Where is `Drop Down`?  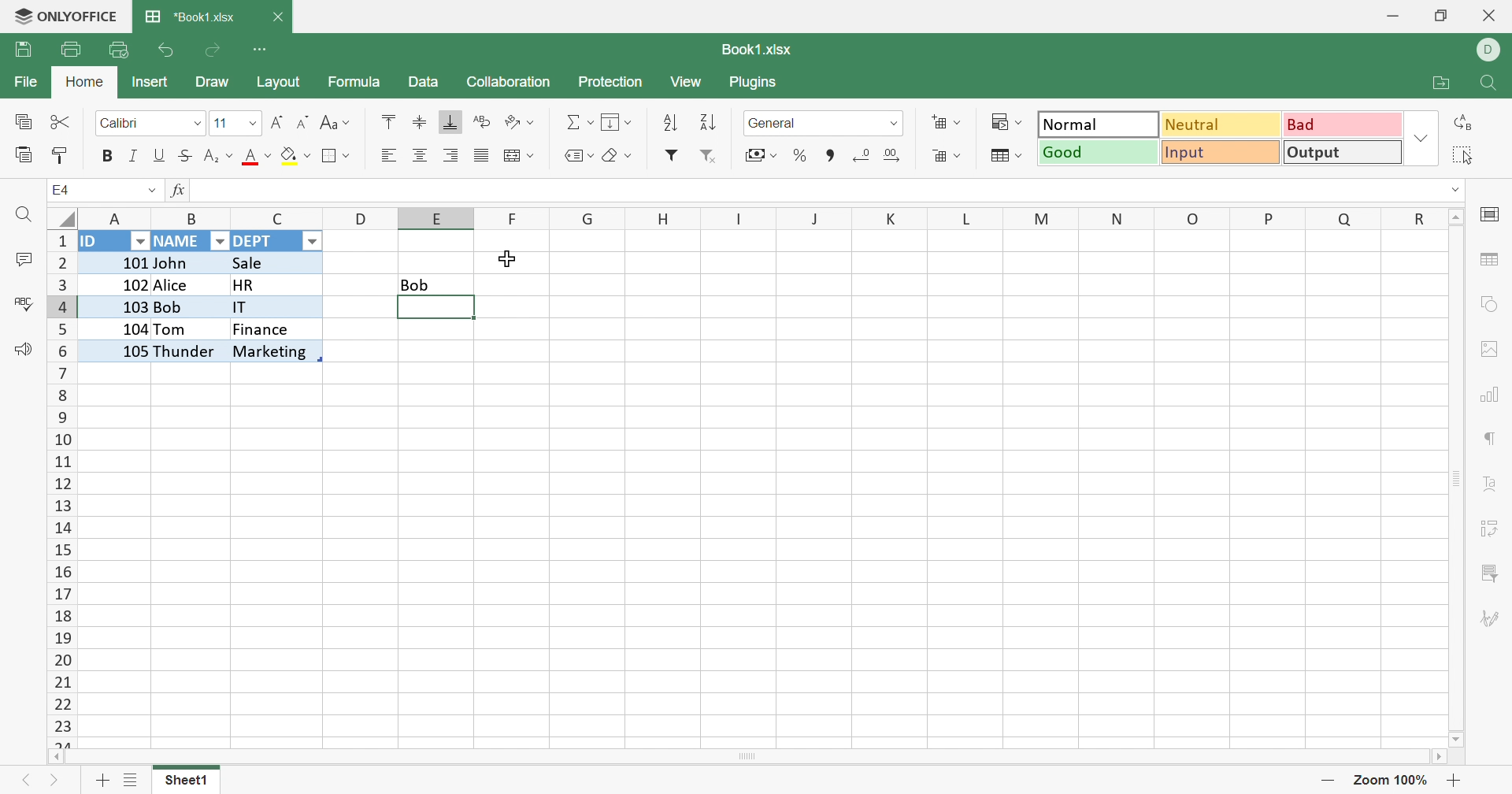 Drop Down is located at coordinates (1457, 191).